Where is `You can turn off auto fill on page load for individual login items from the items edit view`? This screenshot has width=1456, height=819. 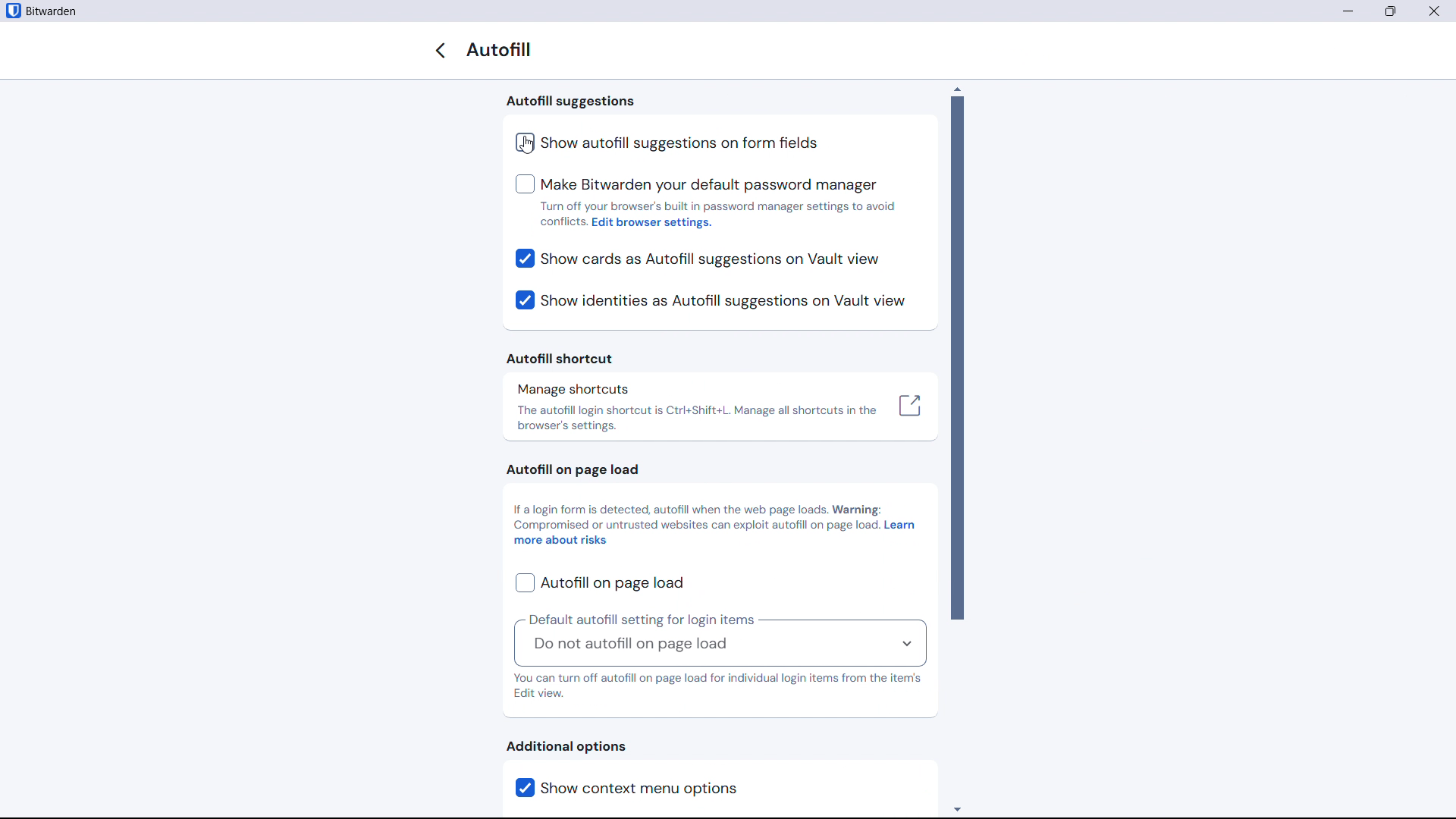 You can turn off auto fill on page load for individual login items from the items edit view is located at coordinates (718, 687).